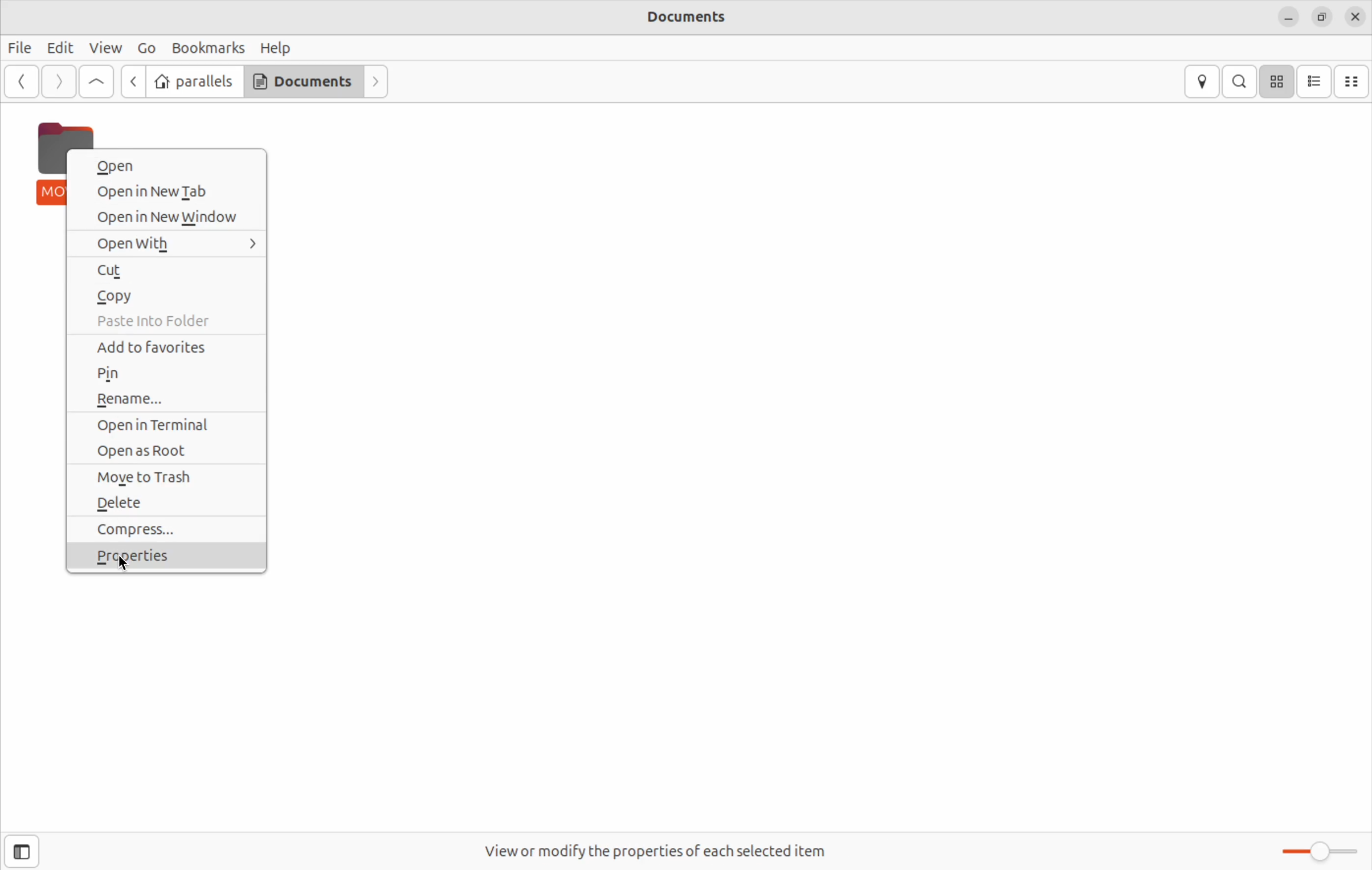 The image size is (1372, 870). I want to click on cut, so click(165, 269).